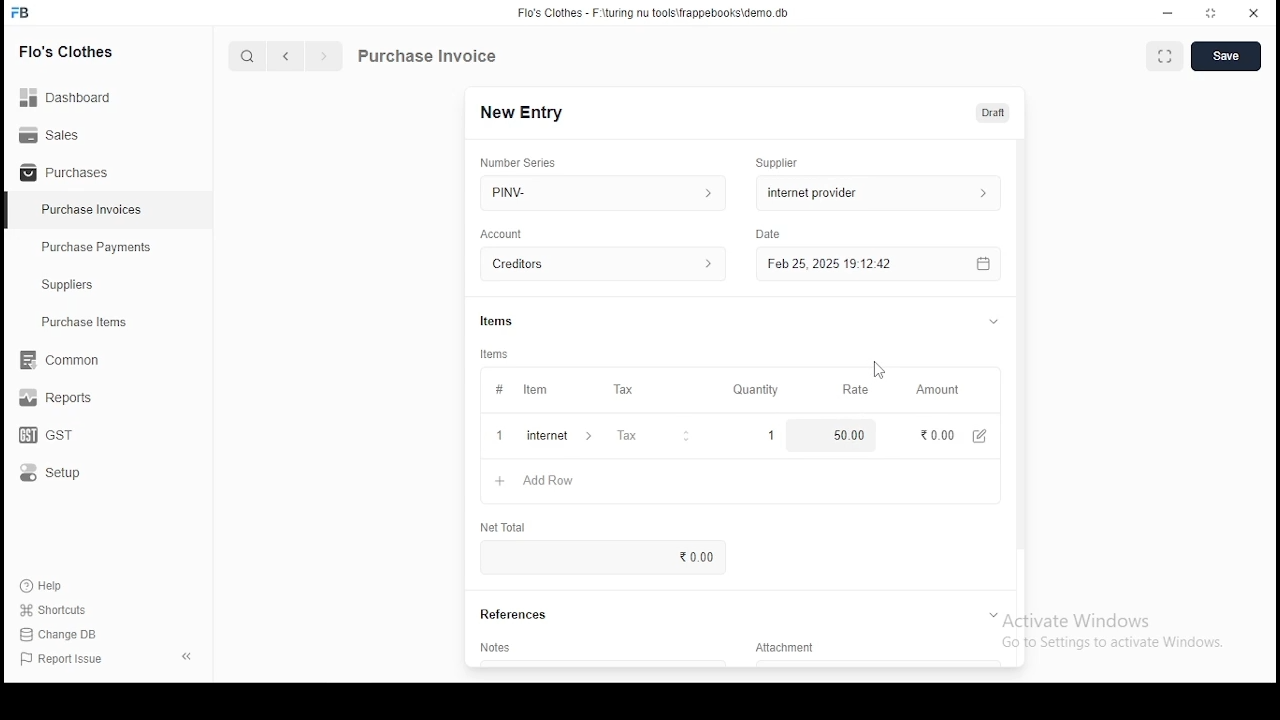 Image resolution: width=1280 pixels, height=720 pixels. What do you see at coordinates (702, 556) in the screenshot?
I see `0.00` at bounding box center [702, 556].